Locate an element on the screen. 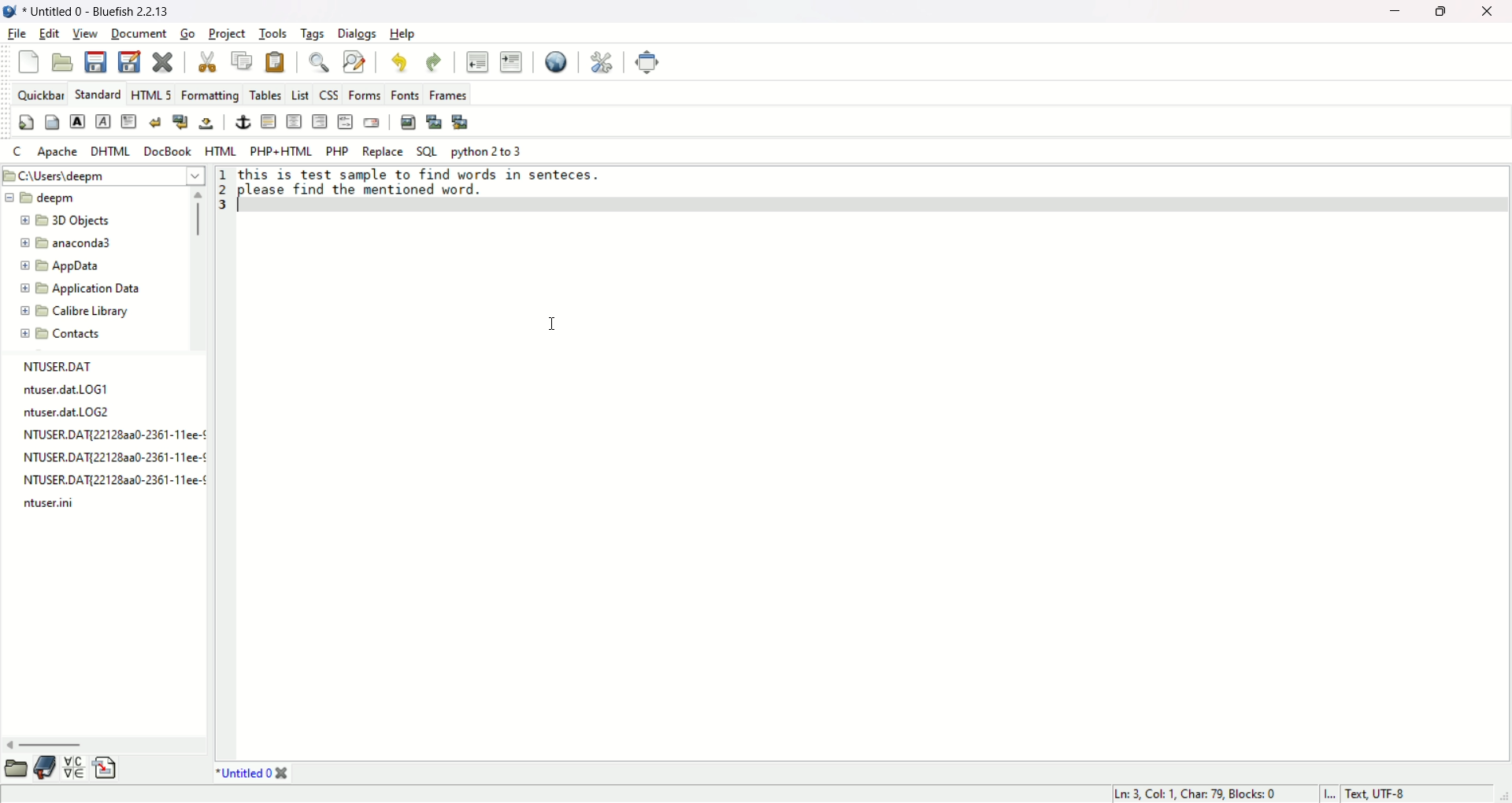 The image size is (1512, 803). I is located at coordinates (1326, 794).